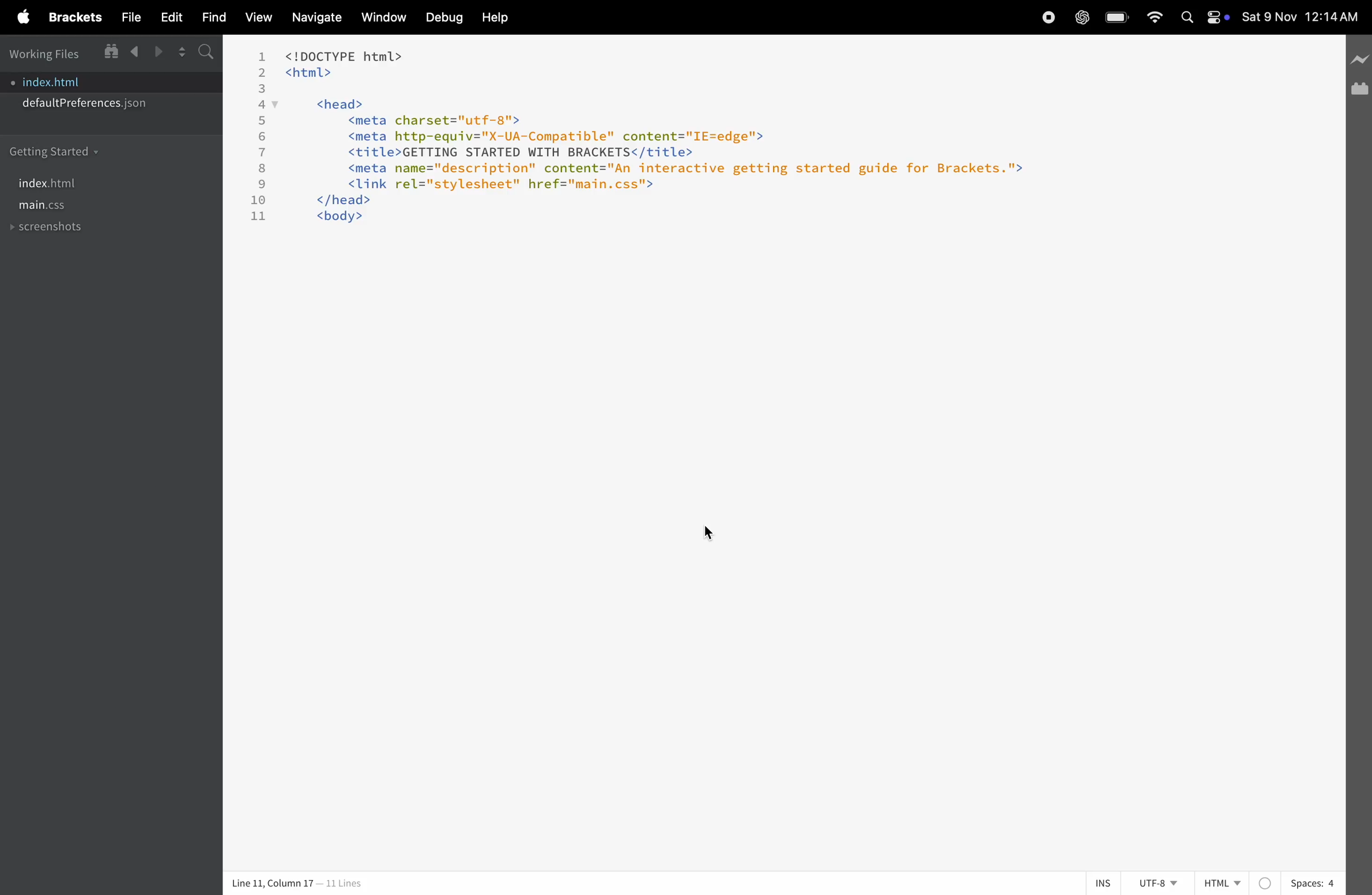  I want to click on navigate, so click(318, 18).